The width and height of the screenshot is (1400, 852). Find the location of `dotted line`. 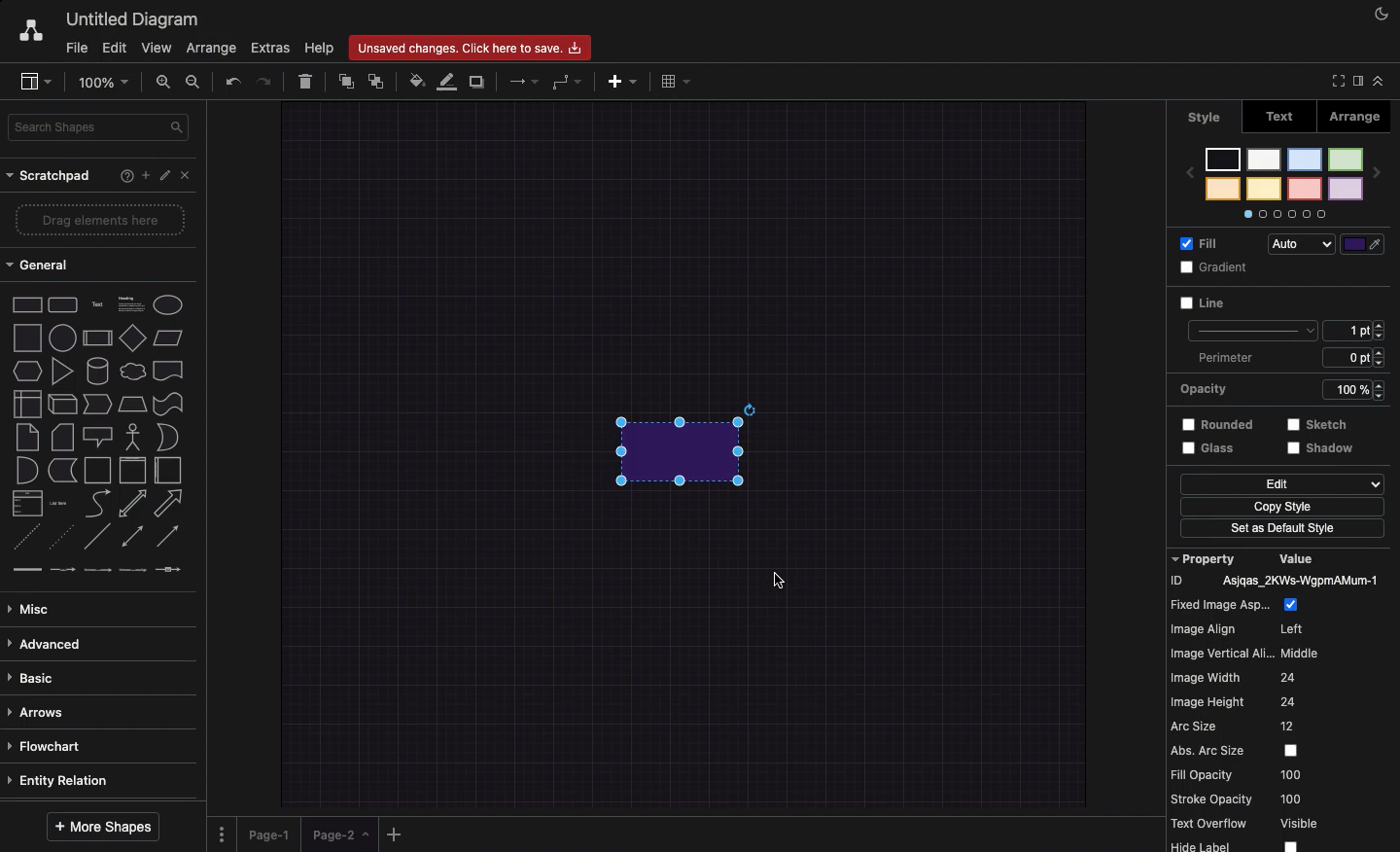

dotted line is located at coordinates (64, 539).